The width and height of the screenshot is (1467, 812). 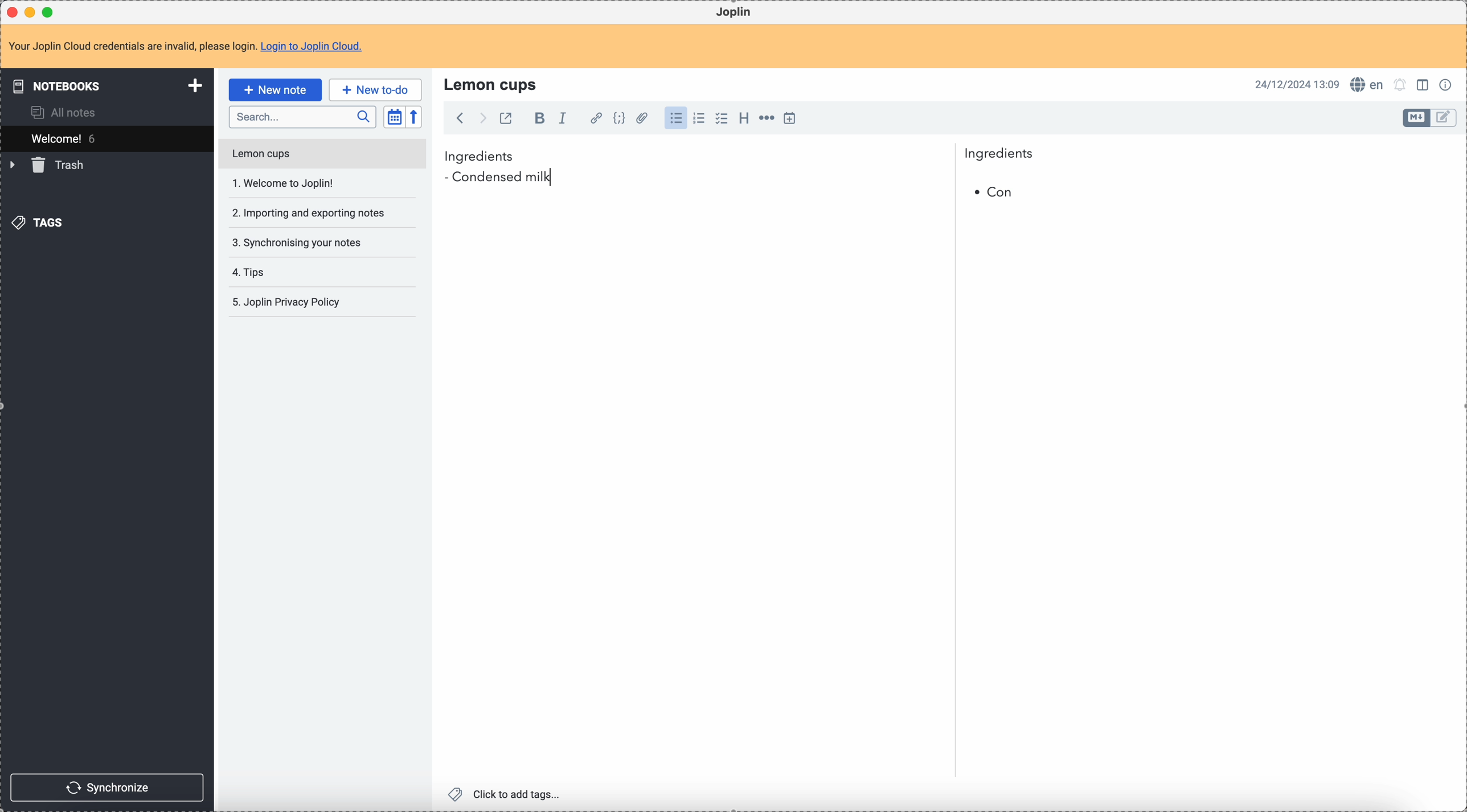 I want to click on notebooks, so click(x=109, y=85).